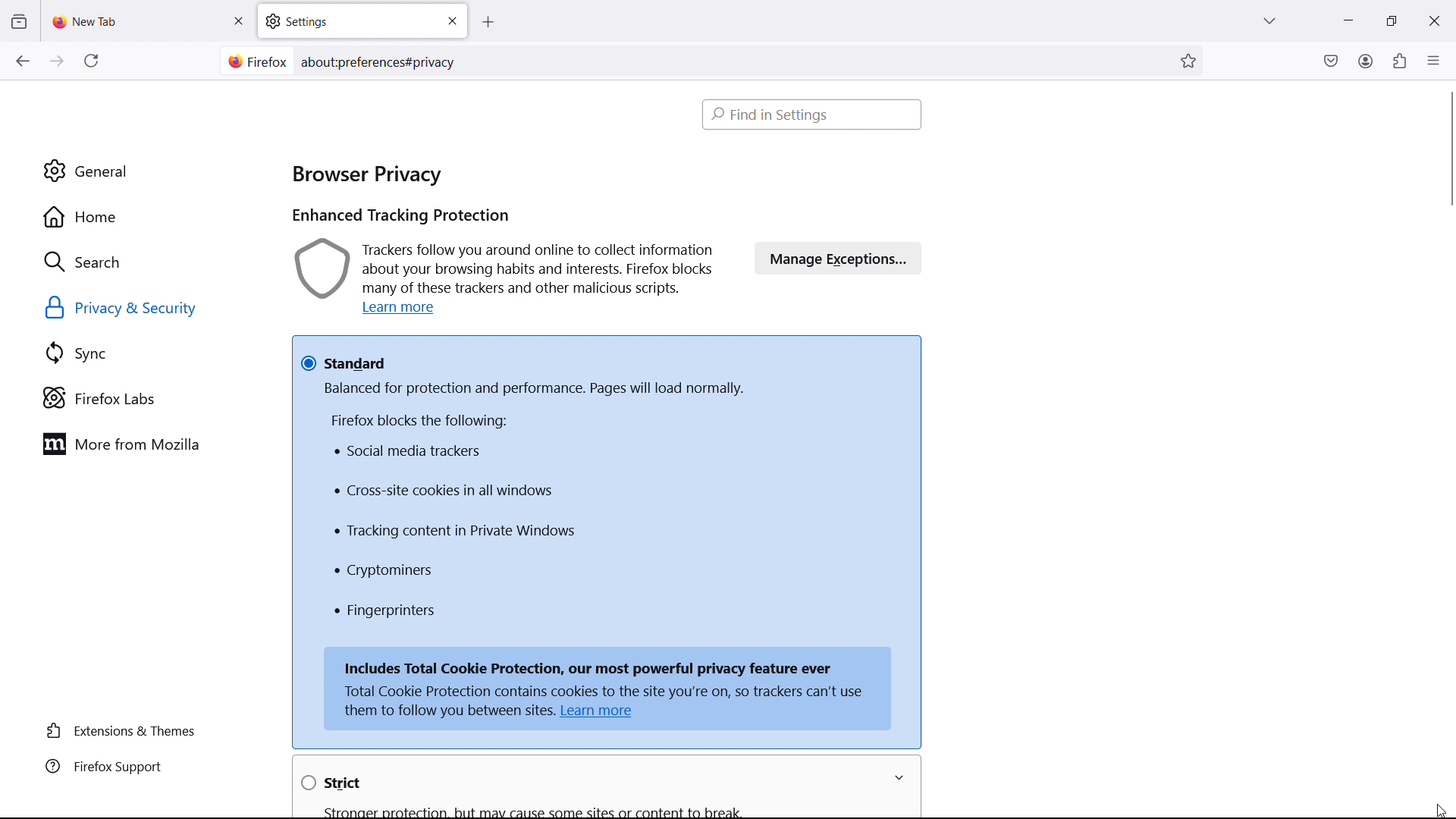 This screenshot has height=819, width=1456. Describe the element at coordinates (1433, 59) in the screenshot. I see `open application menu` at that location.